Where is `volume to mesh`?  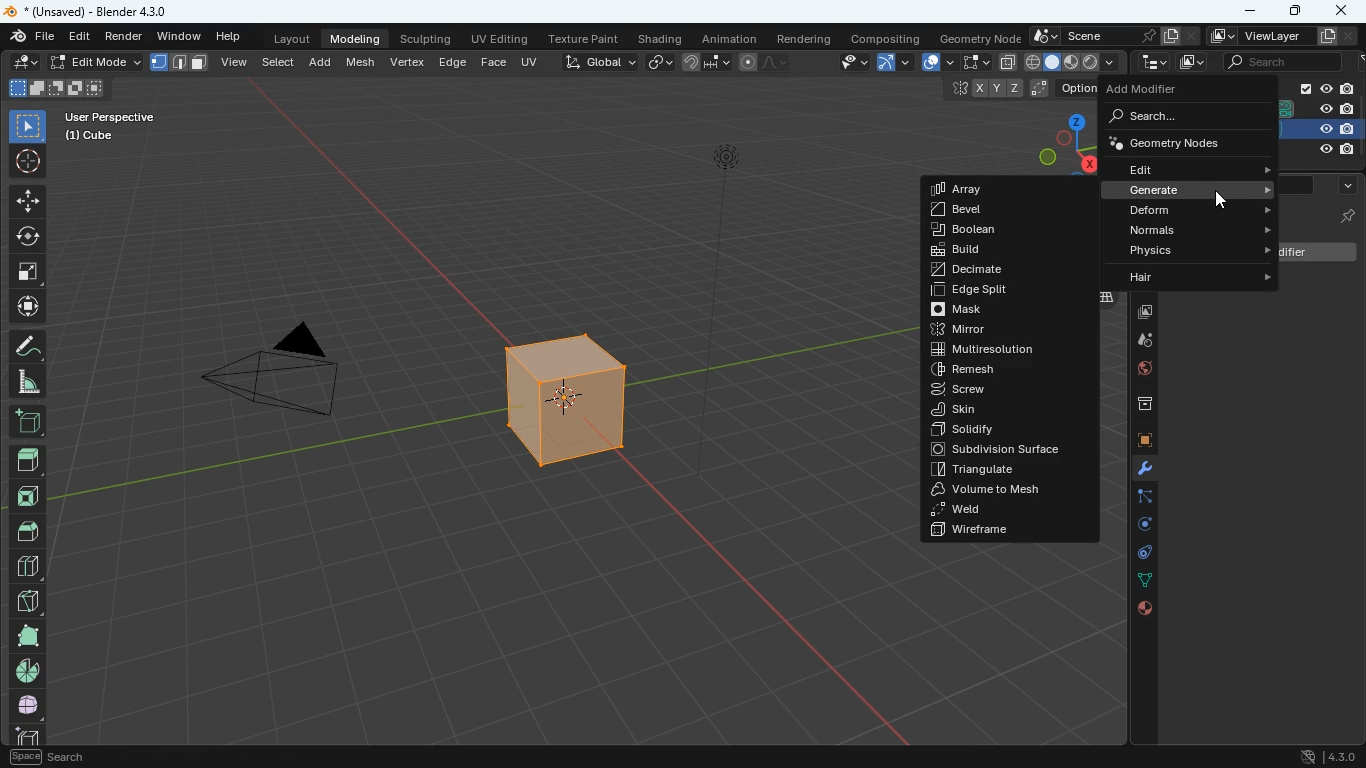
volume to mesh is located at coordinates (995, 490).